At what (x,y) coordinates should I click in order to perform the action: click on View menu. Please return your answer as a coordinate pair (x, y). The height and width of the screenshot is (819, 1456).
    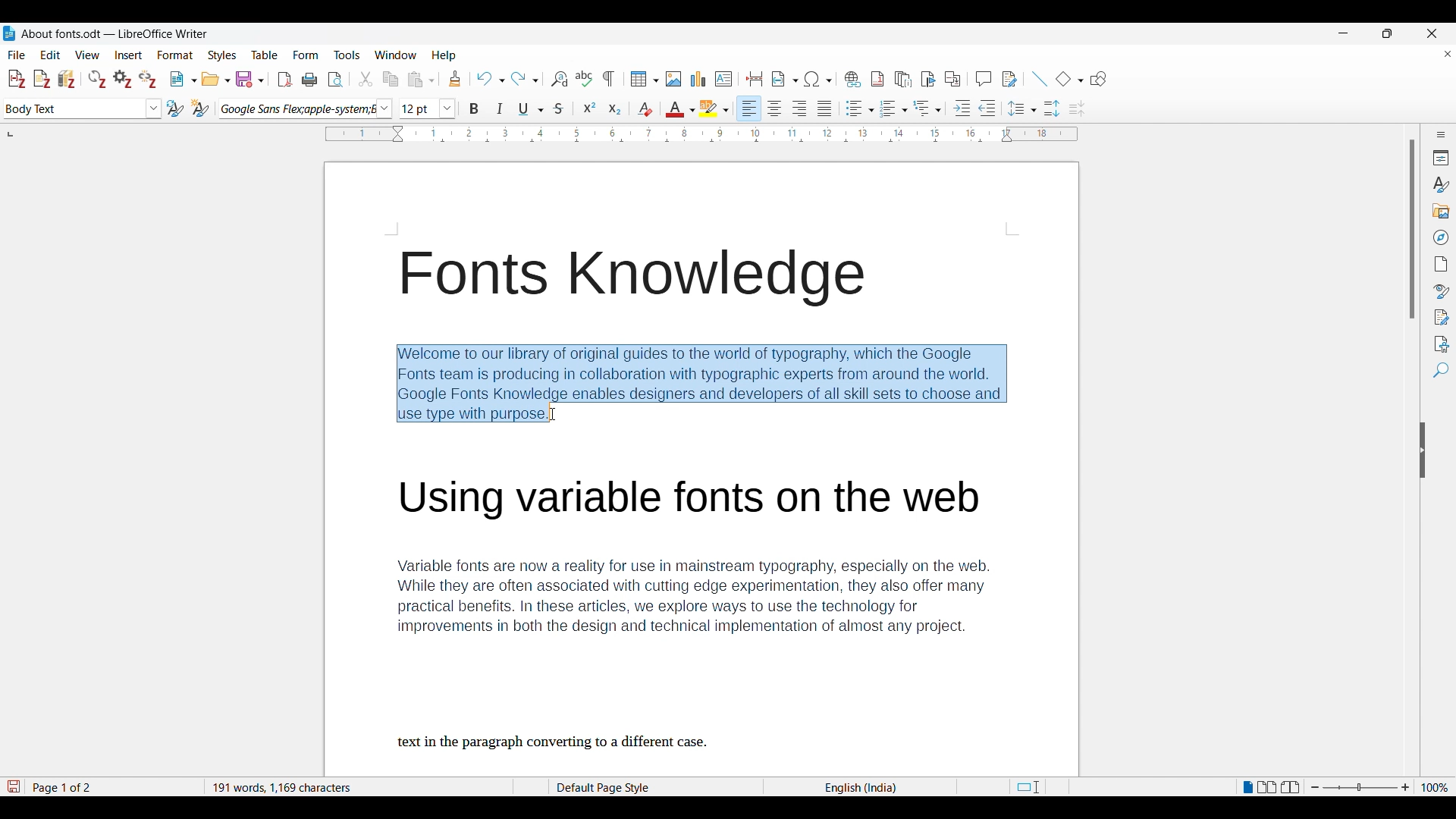
    Looking at the image, I should click on (88, 55).